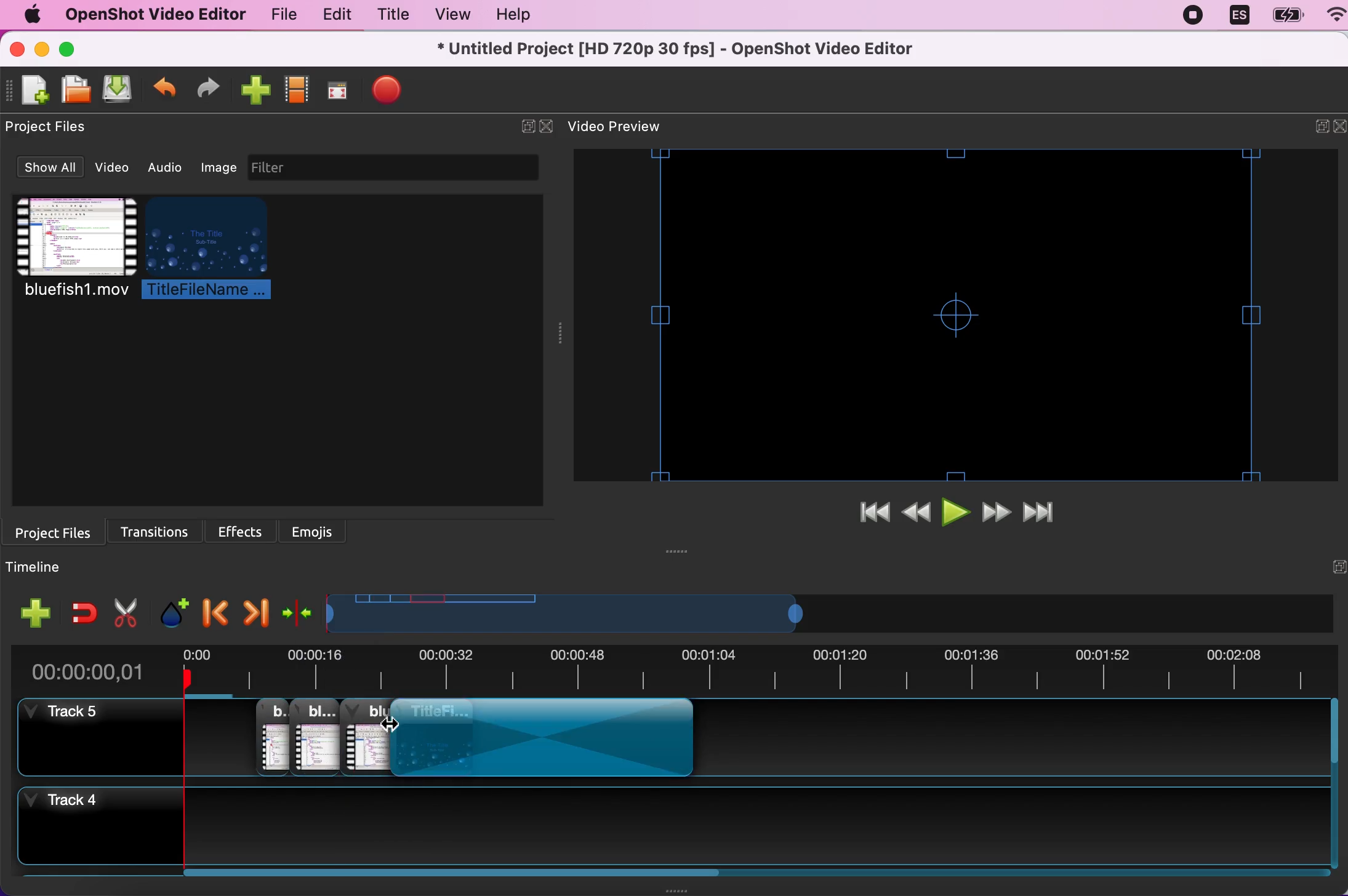  Describe the element at coordinates (390, 17) in the screenshot. I see `title` at that location.